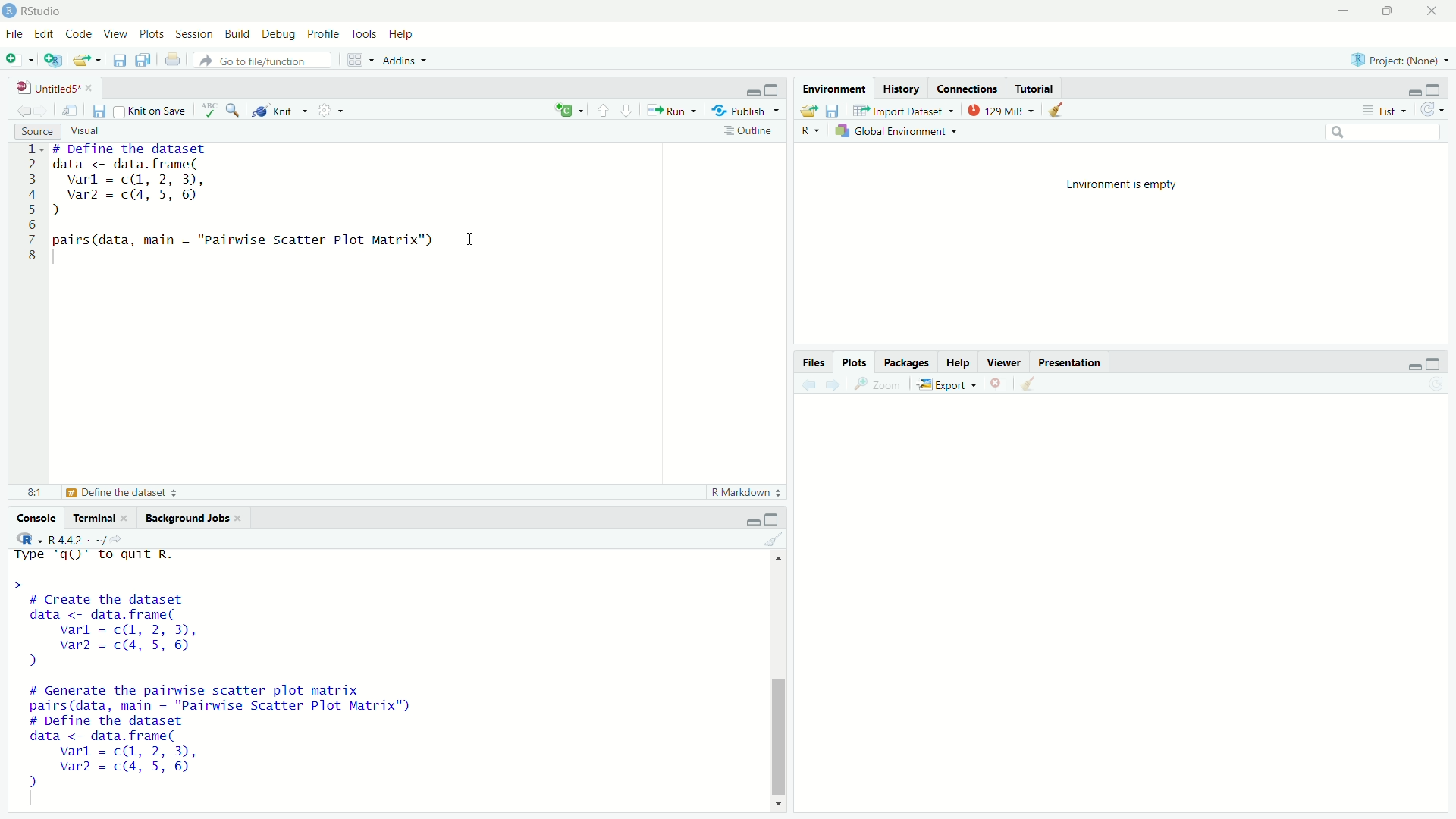 The width and height of the screenshot is (1456, 819). I want to click on Go back to the previous source location (Ctrl + F9), so click(24, 108).